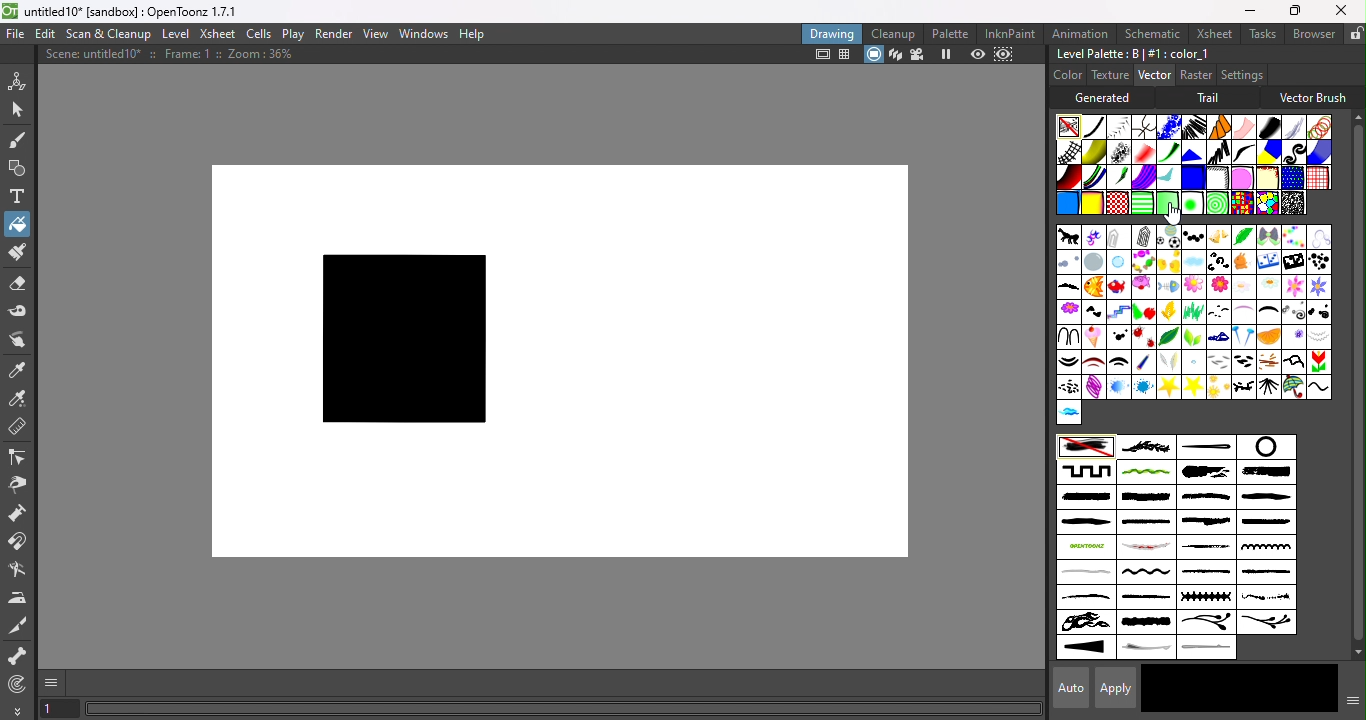  I want to click on Ruler tool, so click(18, 429).